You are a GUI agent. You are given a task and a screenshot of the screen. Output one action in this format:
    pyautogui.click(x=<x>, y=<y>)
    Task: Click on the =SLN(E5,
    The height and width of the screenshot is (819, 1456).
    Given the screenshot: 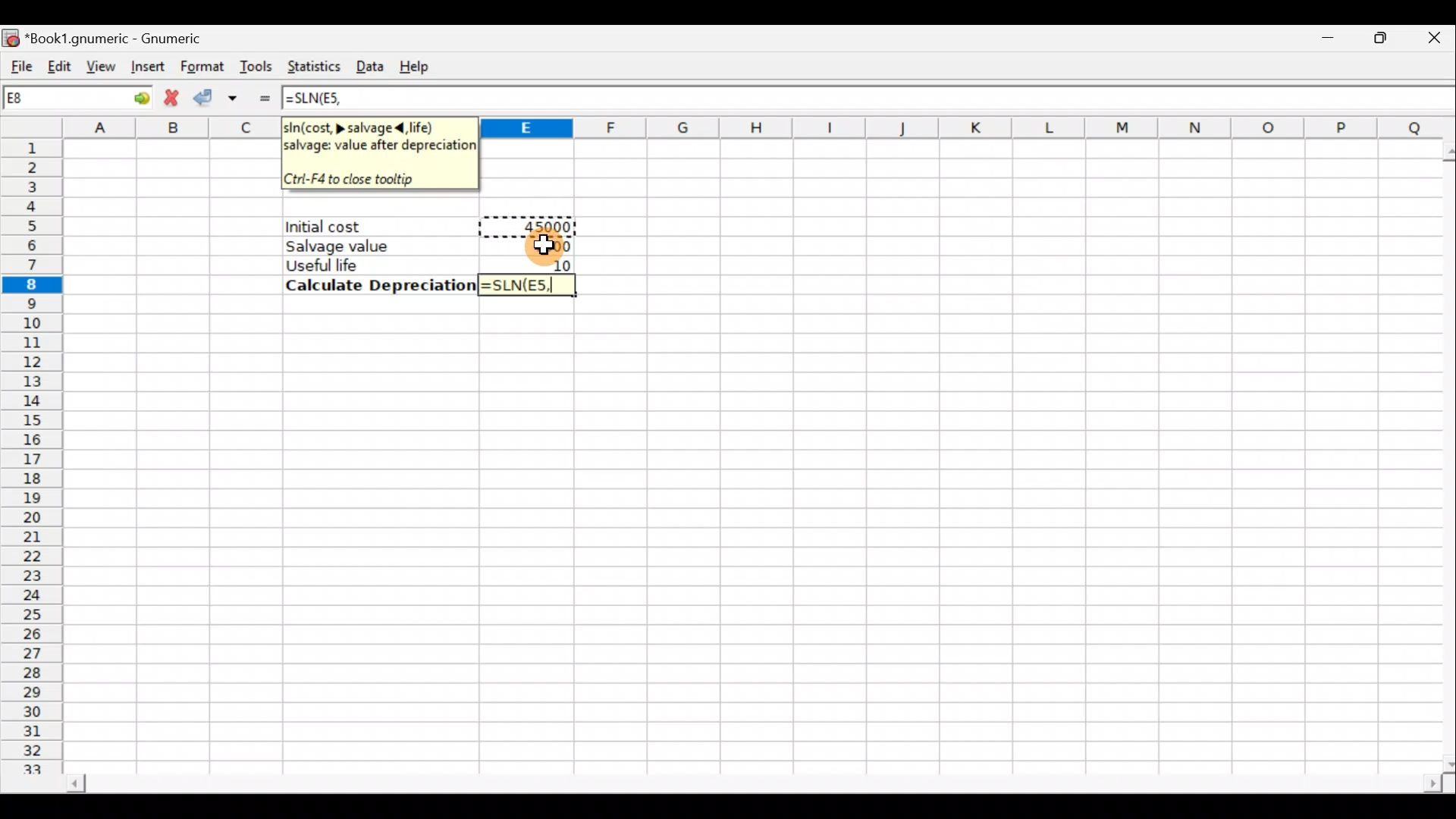 What is the action you would take?
    pyautogui.click(x=322, y=99)
    